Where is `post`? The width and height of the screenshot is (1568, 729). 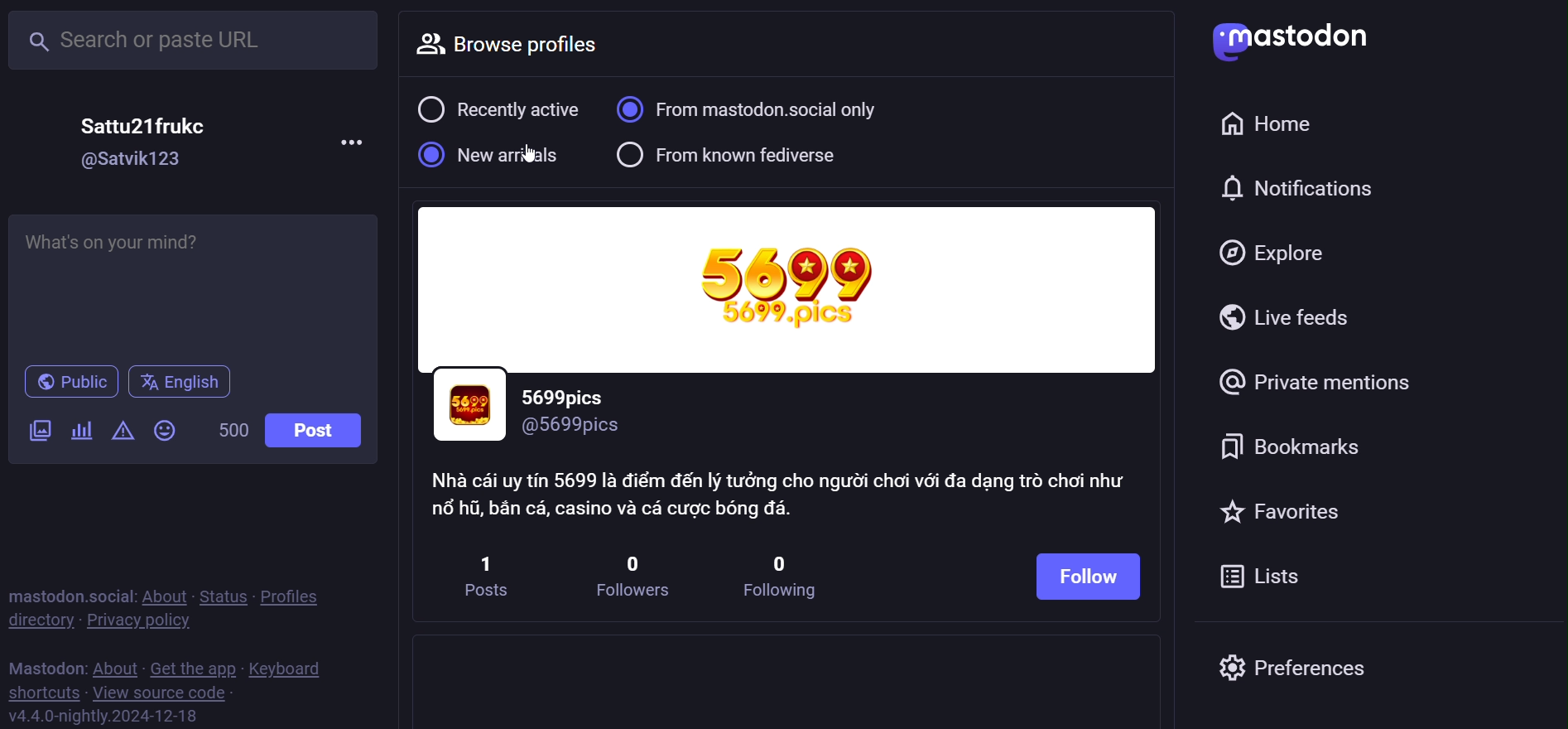
post is located at coordinates (321, 428).